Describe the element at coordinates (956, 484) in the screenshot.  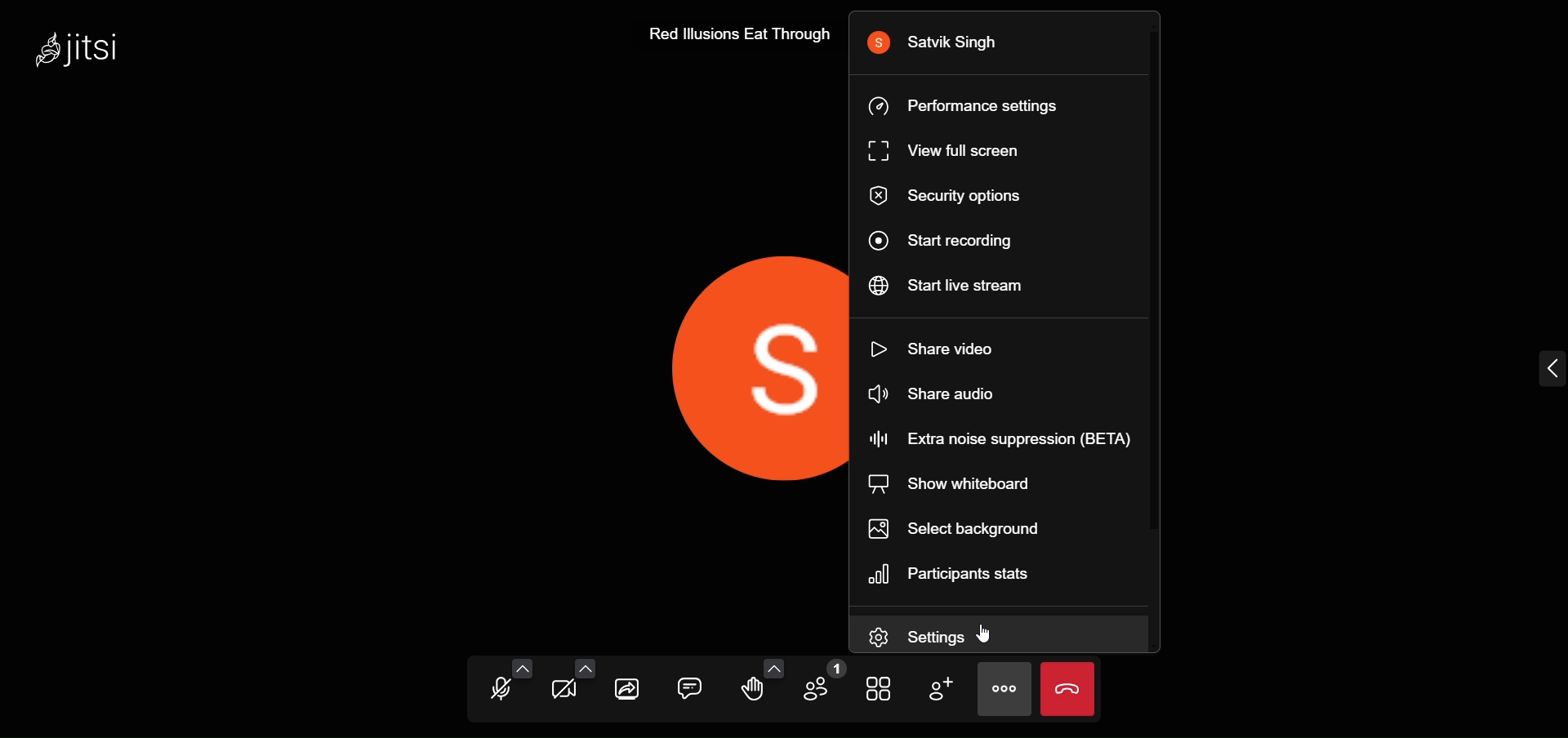
I see `show whiteboard` at that location.